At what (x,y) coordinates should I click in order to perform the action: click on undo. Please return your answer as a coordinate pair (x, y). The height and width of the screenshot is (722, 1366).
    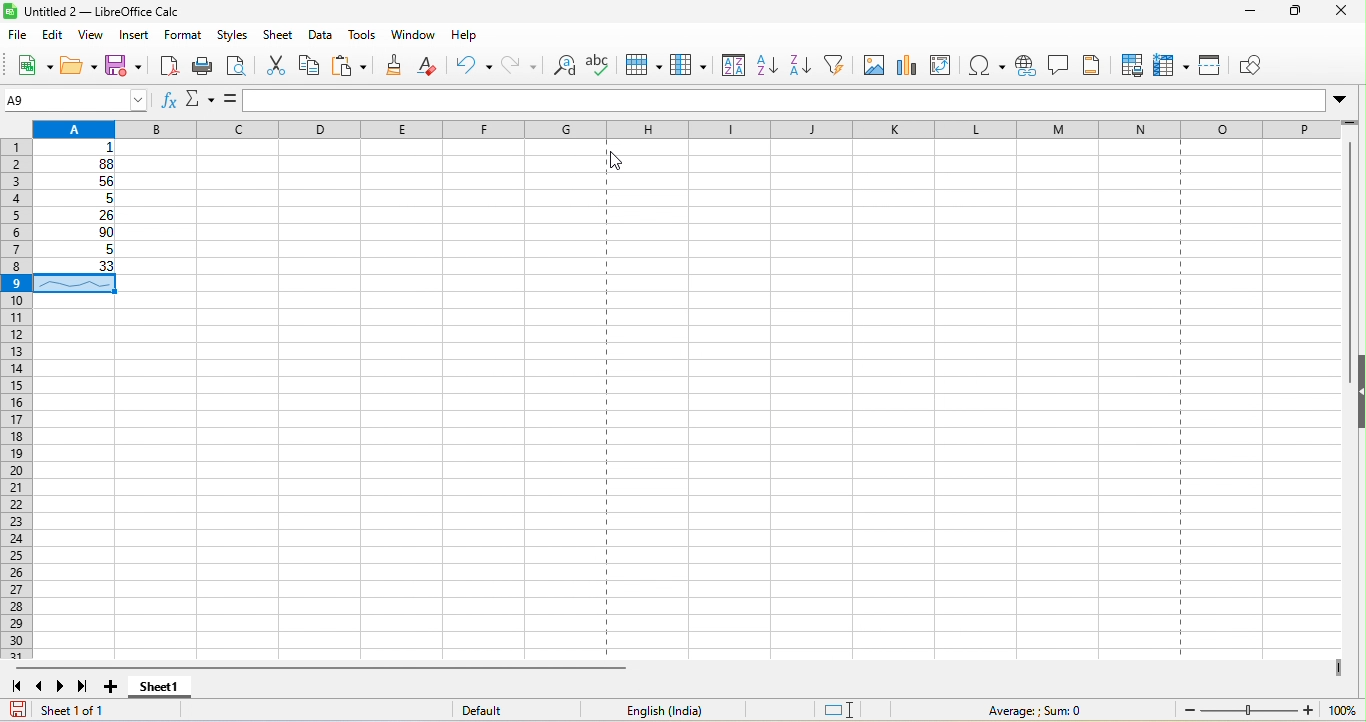
    Looking at the image, I should click on (474, 65).